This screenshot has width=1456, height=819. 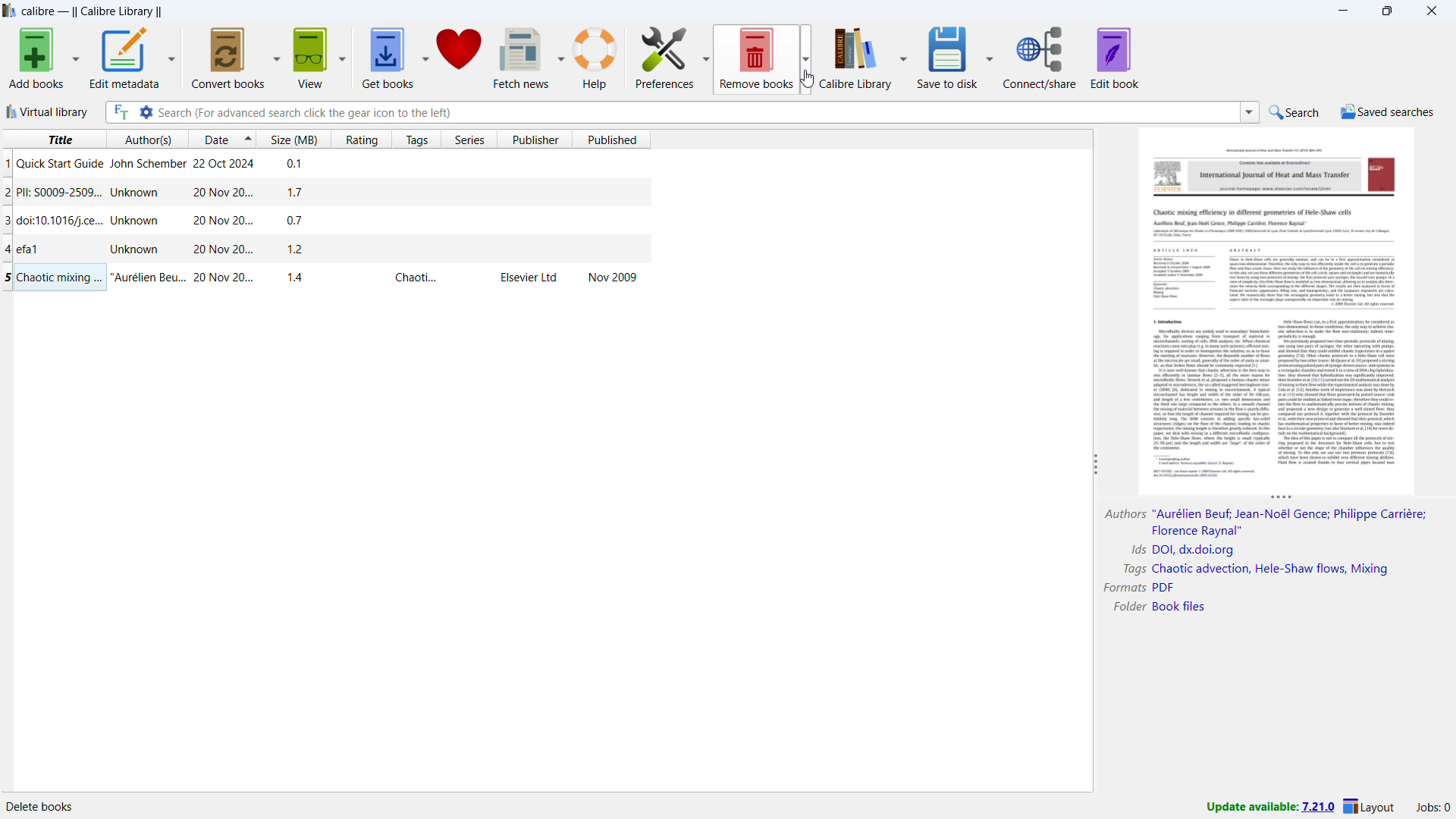 What do you see at coordinates (276, 58) in the screenshot?
I see `convert books options` at bounding box center [276, 58].